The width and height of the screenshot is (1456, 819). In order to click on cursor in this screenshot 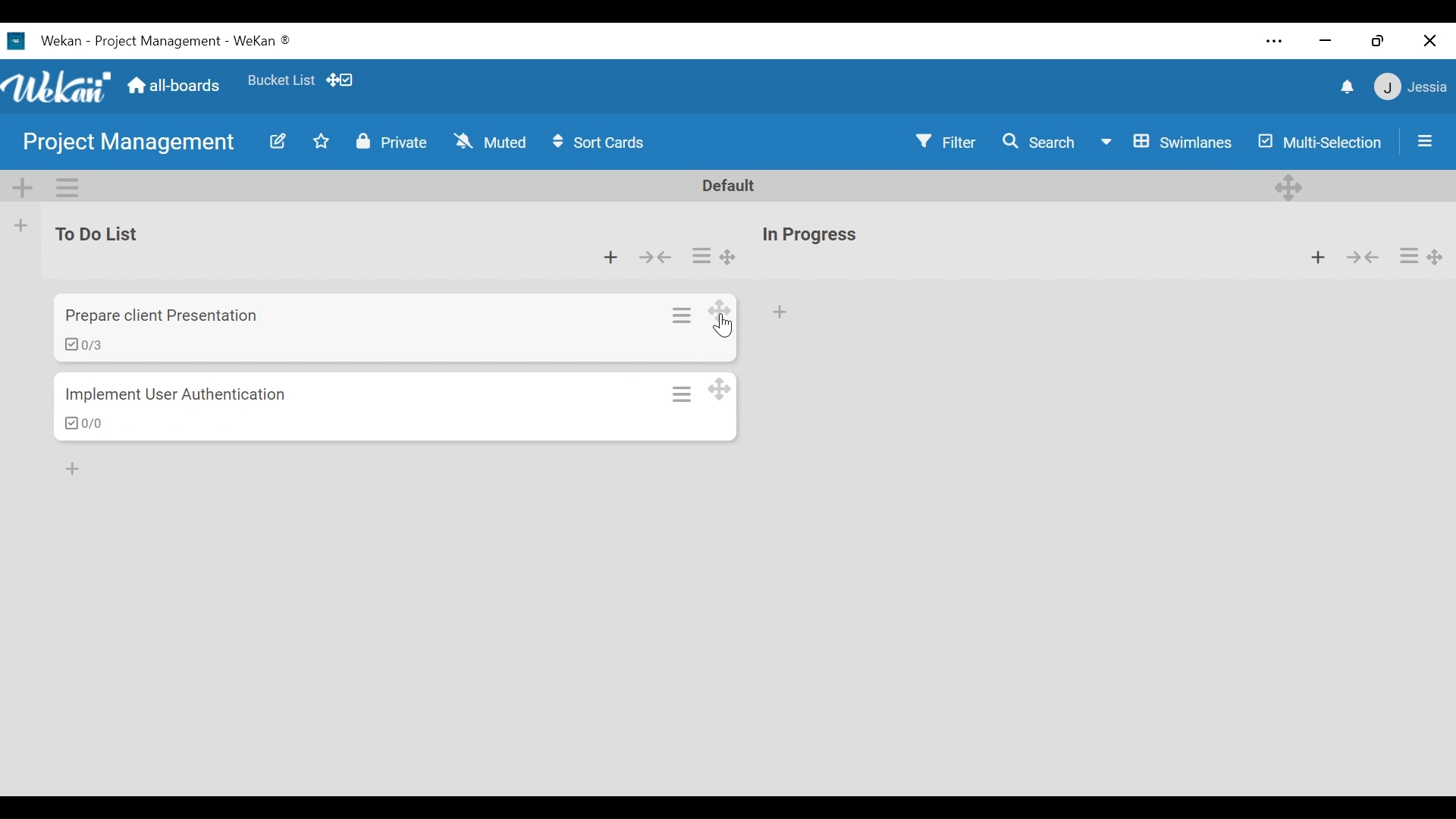, I will do `click(723, 329)`.